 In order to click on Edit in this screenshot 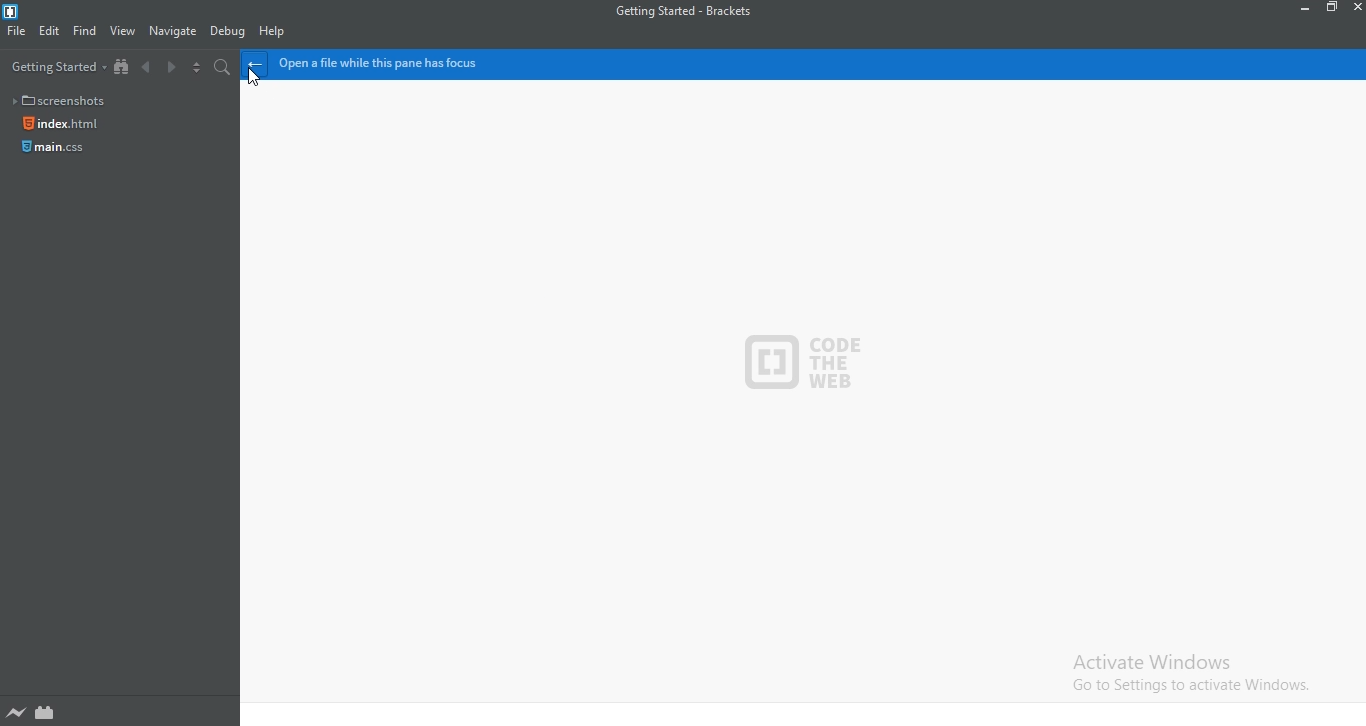, I will do `click(49, 32)`.